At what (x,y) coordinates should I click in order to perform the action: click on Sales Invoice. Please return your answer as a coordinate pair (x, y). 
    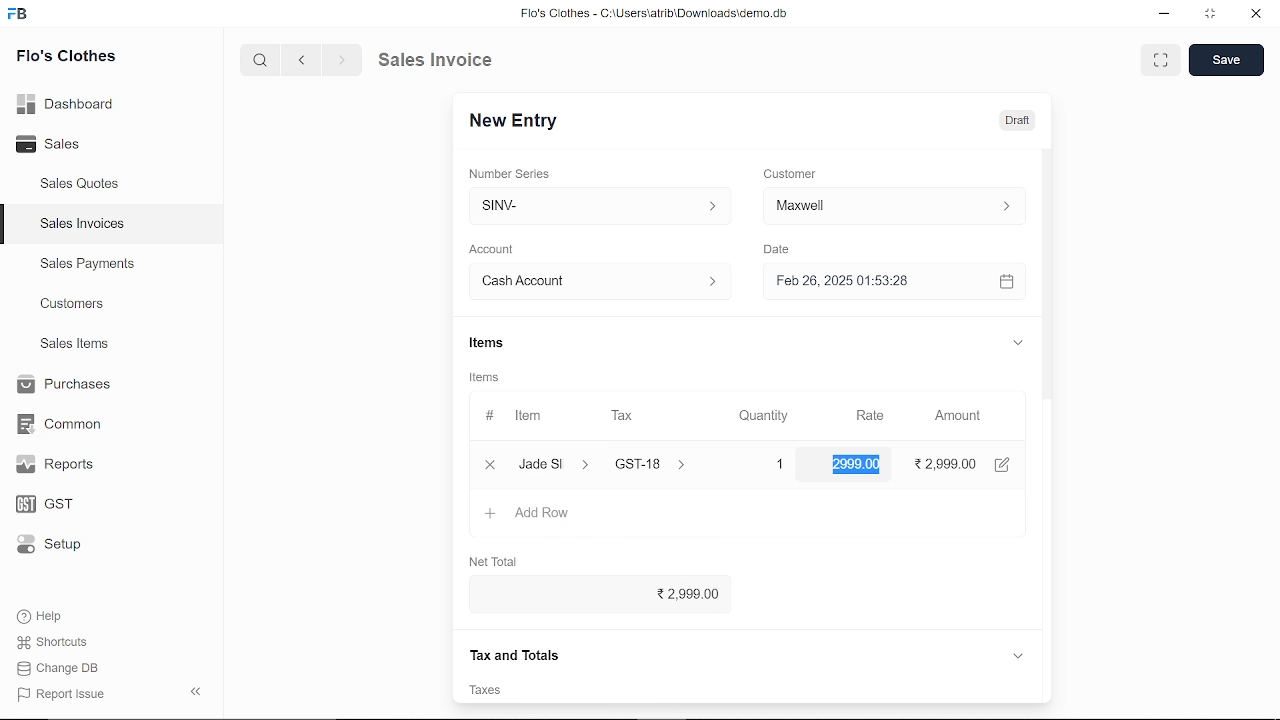
    Looking at the image, I should click on (450, 59).